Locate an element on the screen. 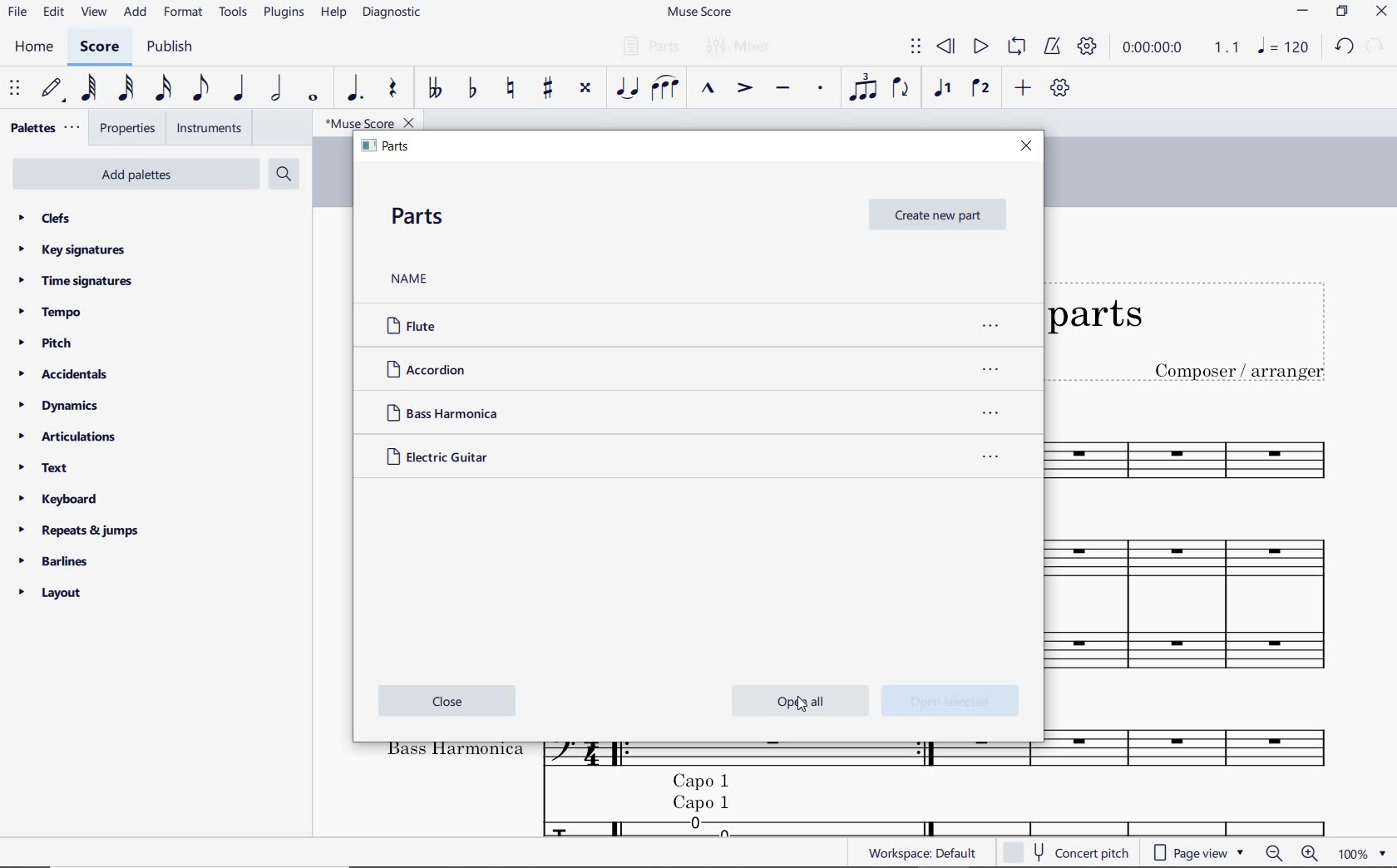 The height and width of the screenshot is (868, 1397). default (step time) is located at coordinates (55, 91).